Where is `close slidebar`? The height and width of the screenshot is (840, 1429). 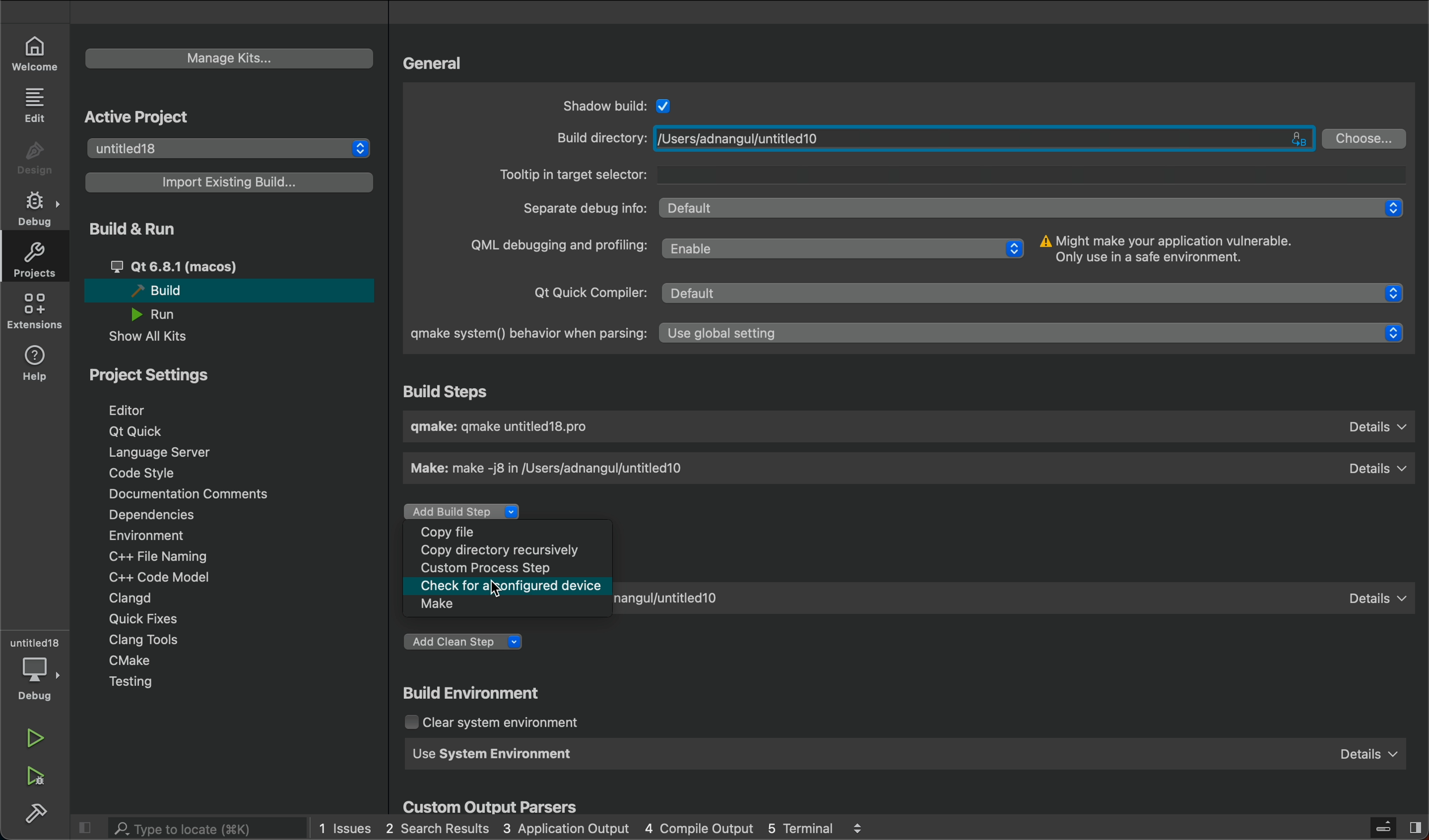 close slidebar is located at coordinates (90, 827).